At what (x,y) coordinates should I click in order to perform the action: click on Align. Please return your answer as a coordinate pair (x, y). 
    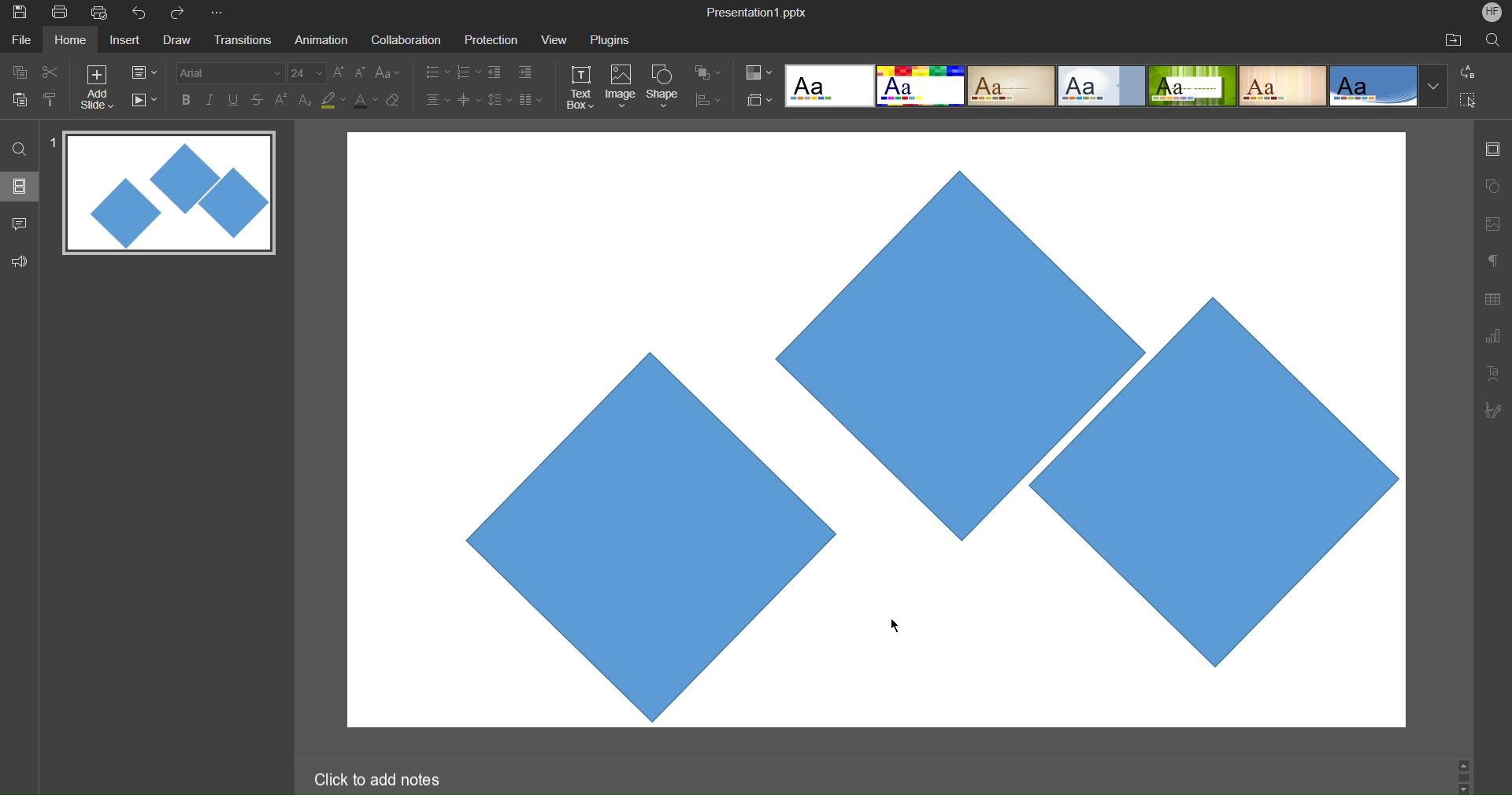
    Looking at the image, I should click on (708, 101).